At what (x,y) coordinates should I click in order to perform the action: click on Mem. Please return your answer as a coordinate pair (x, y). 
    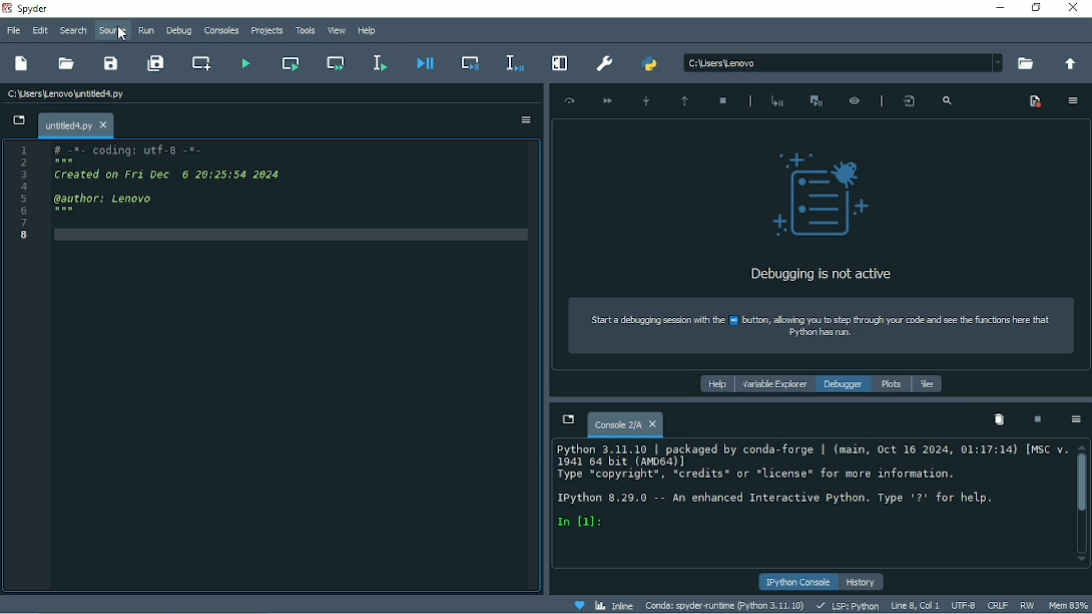
    Looking at the image, I should click on (1068, 605).